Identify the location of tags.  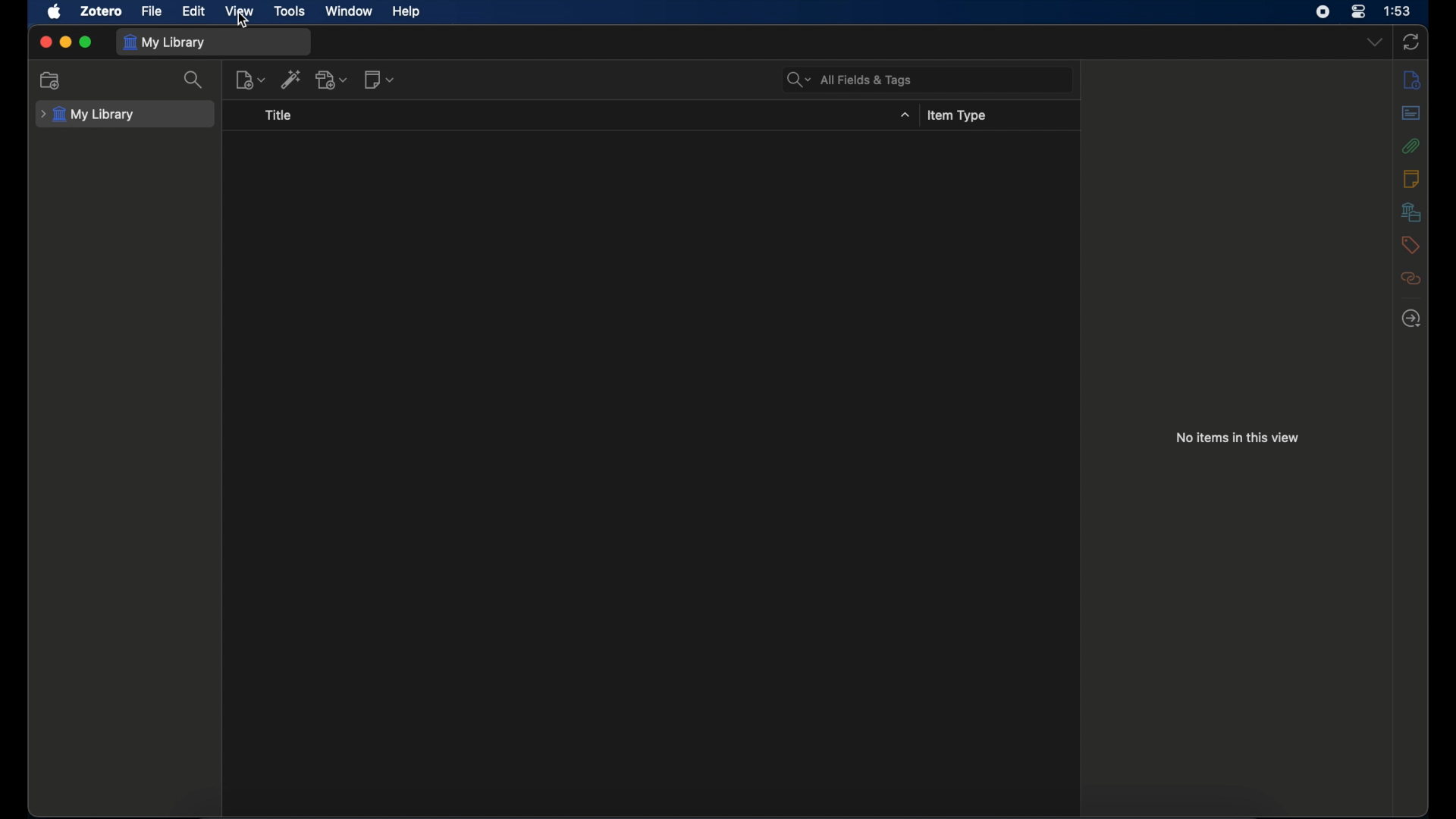
(1410, 245).